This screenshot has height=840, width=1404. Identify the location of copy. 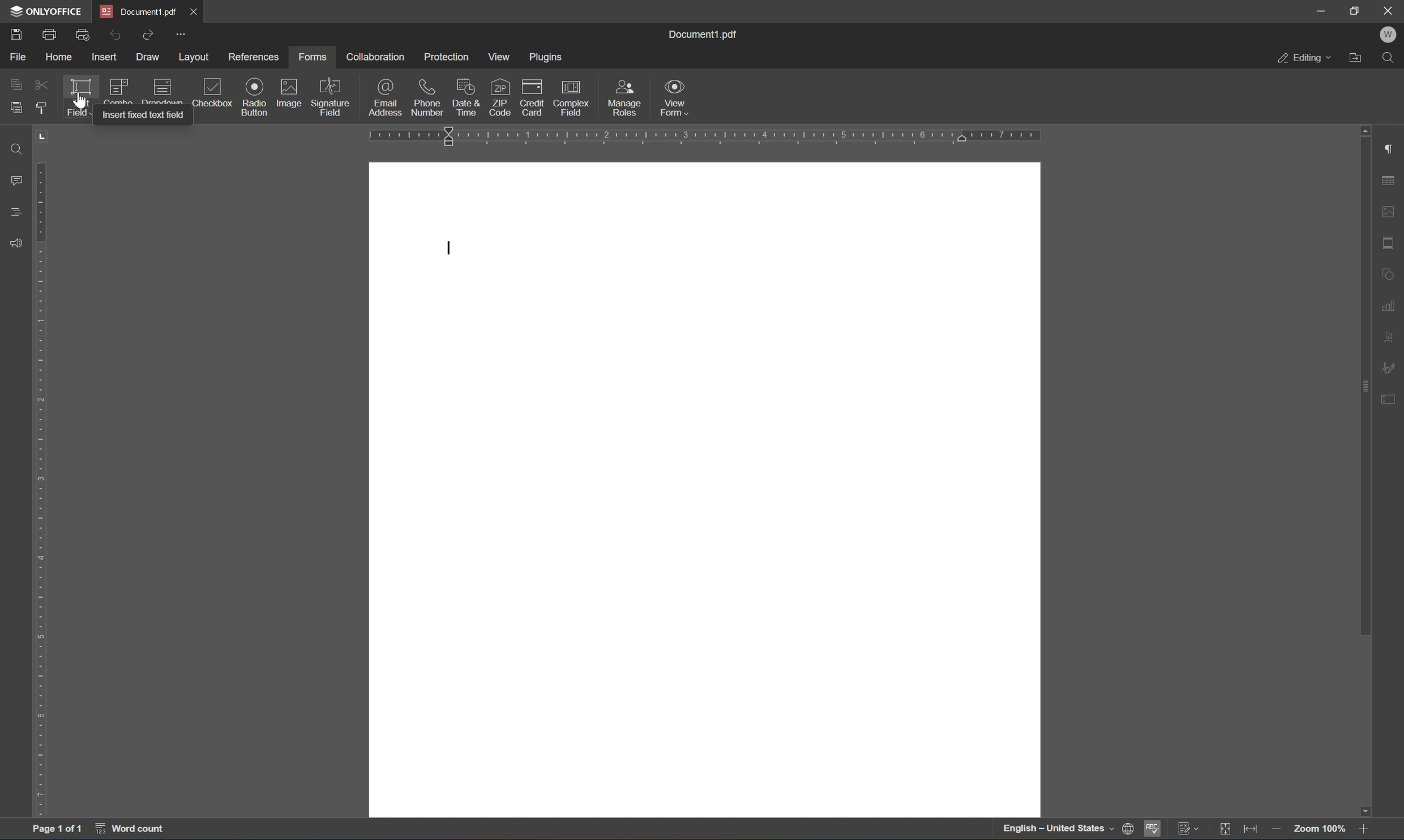
(16, 86).